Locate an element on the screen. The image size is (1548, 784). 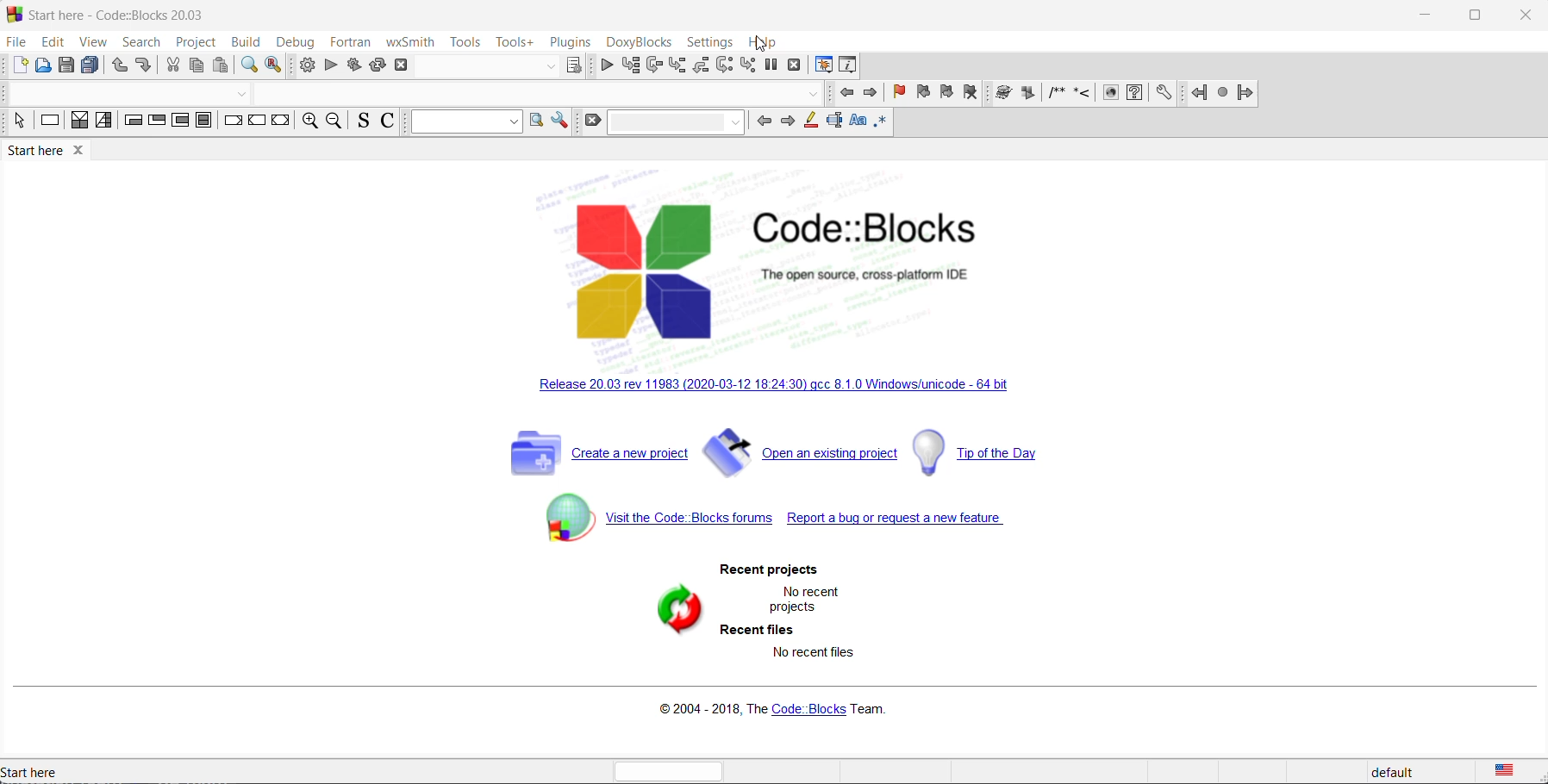
view is located at coordinates (91, 40).